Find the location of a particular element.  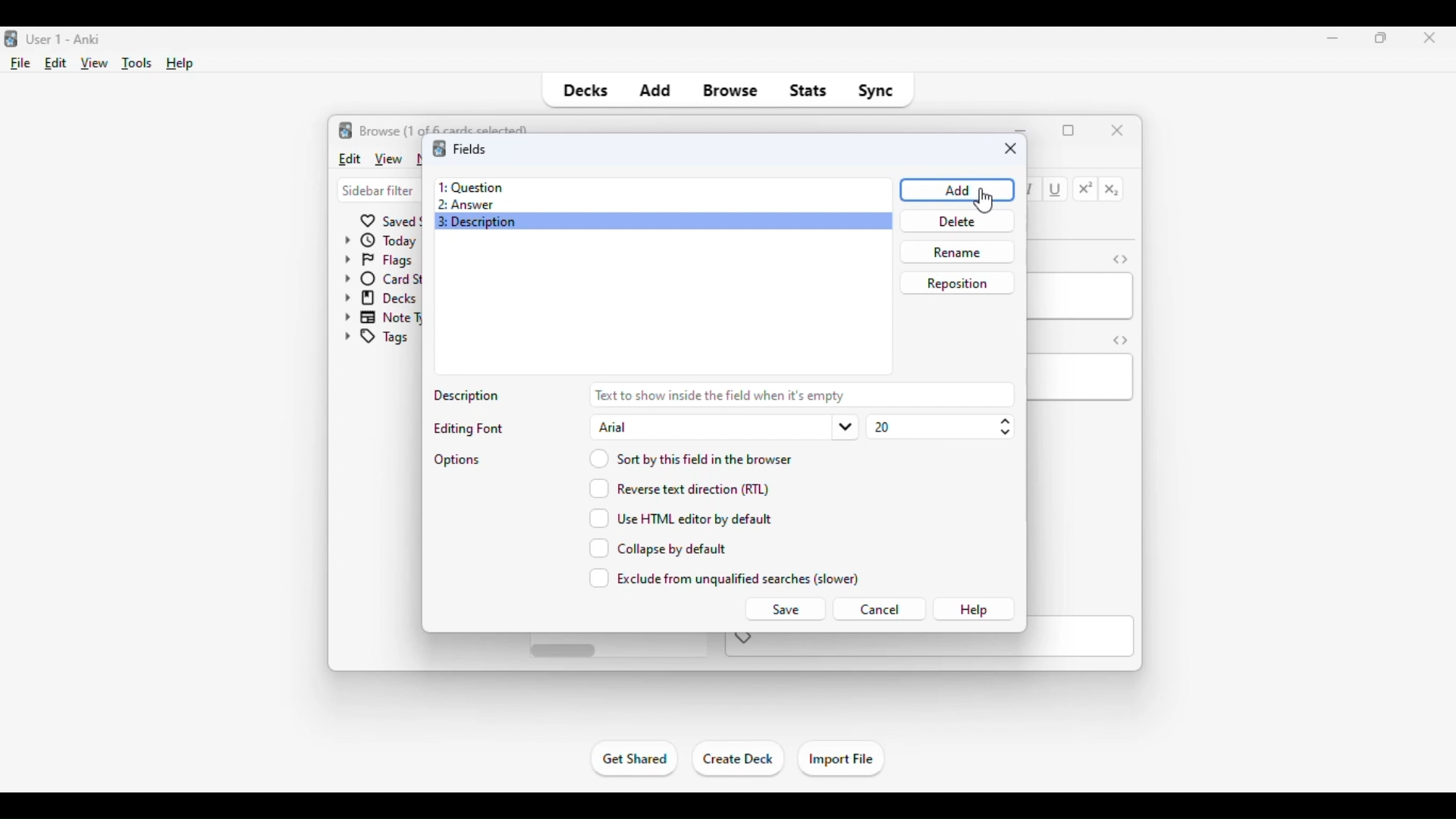

cancel is located at coordinates (879, 610).